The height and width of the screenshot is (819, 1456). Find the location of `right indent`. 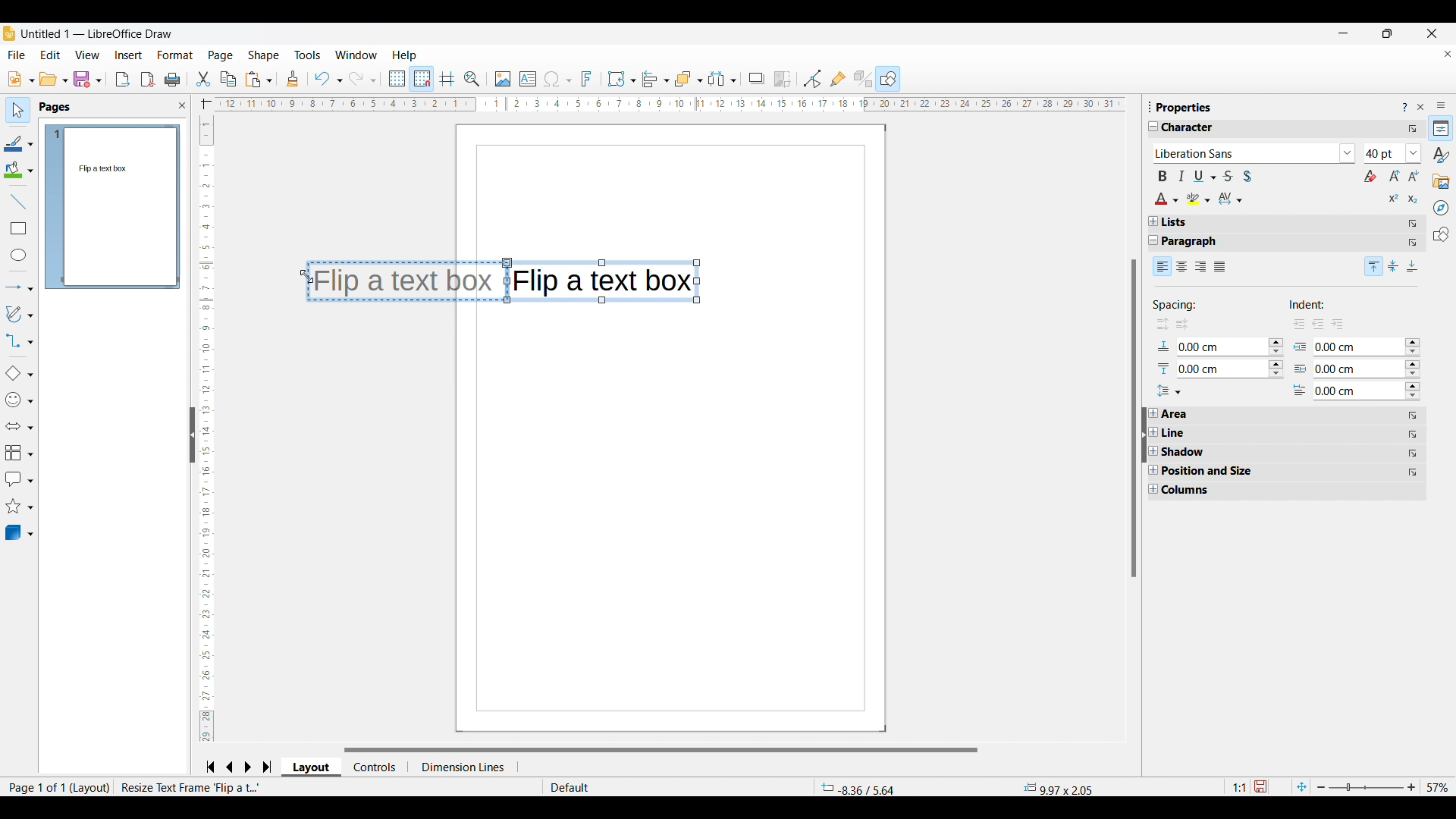

right indent is located at coordinates (1295, 323).